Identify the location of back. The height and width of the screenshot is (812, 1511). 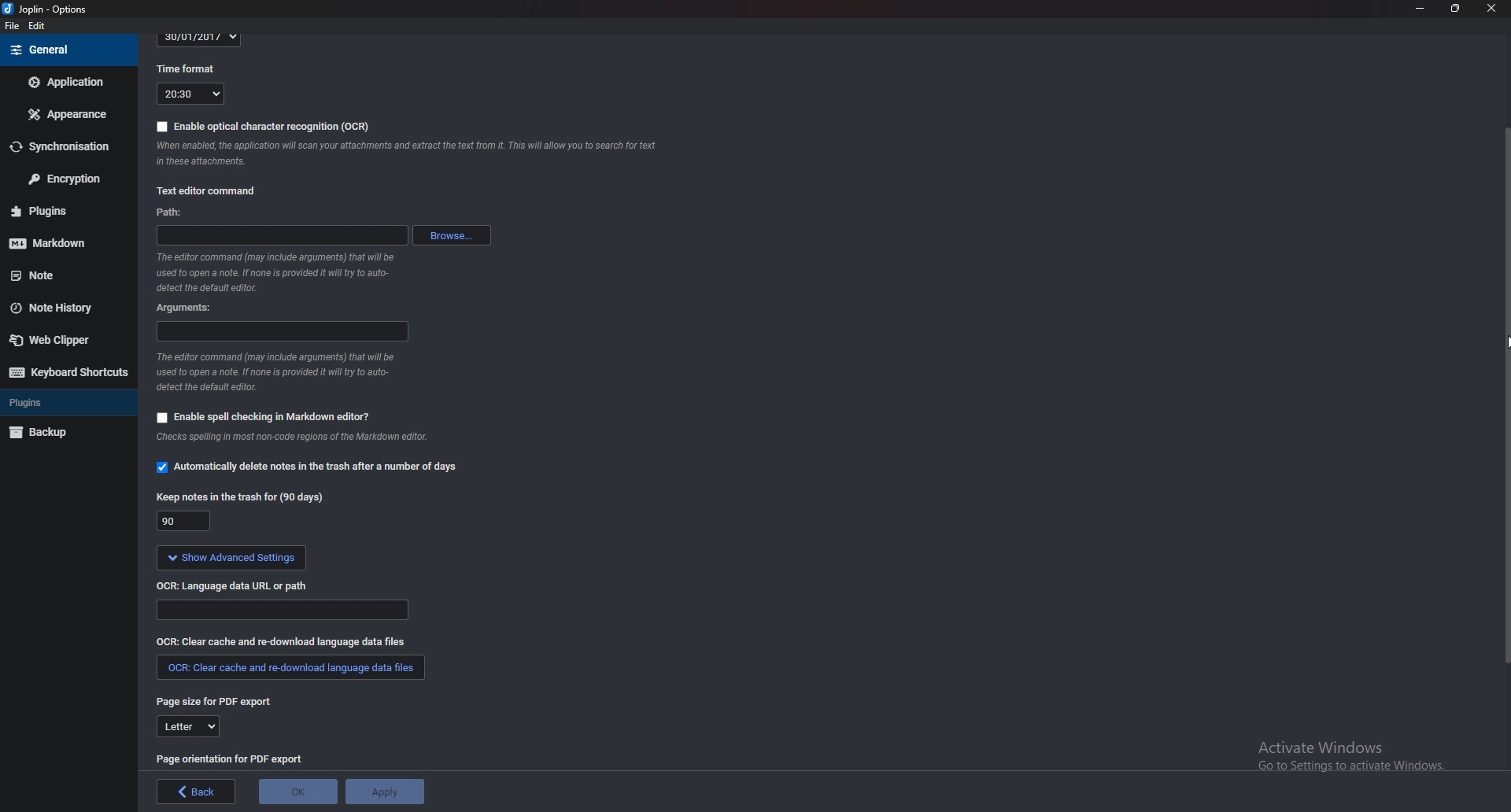
(197, 792).